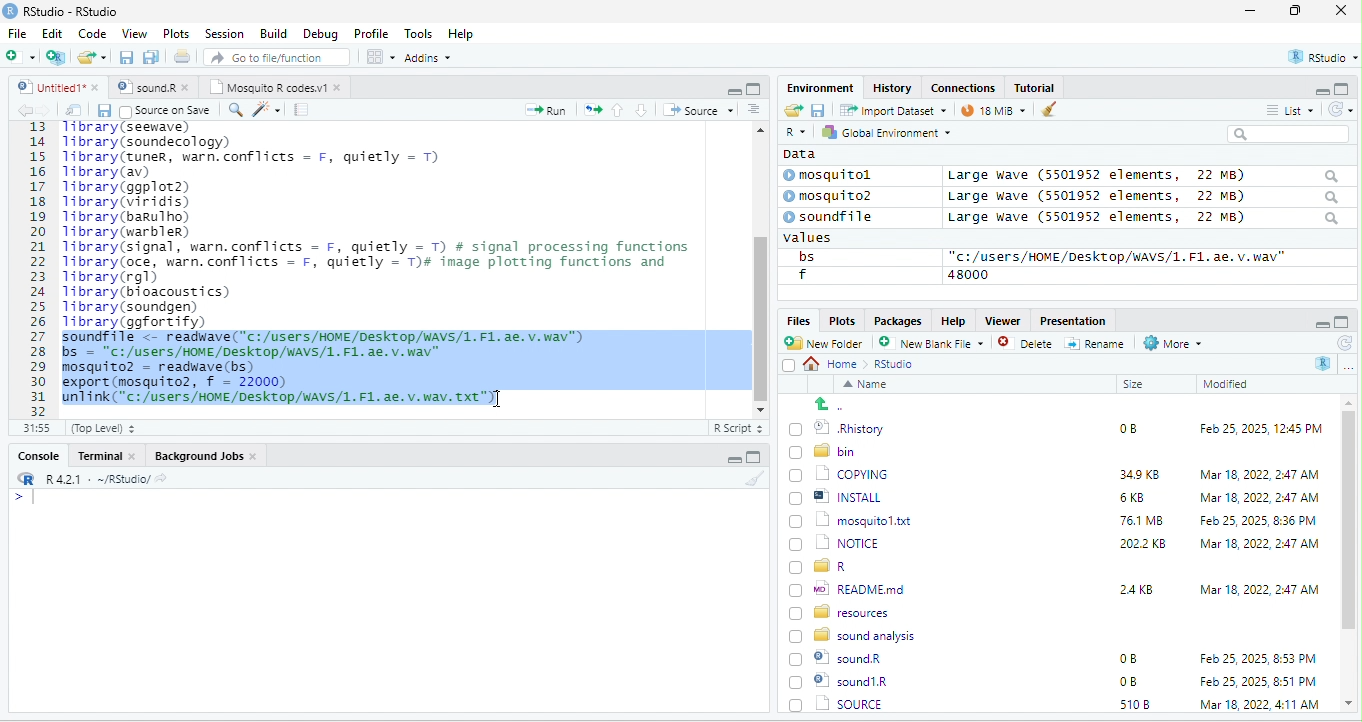 This screenshot has height=722, width=1362. Describe the element at coordinates (869, 386) in the screenshot. I see ` Name` at that location.